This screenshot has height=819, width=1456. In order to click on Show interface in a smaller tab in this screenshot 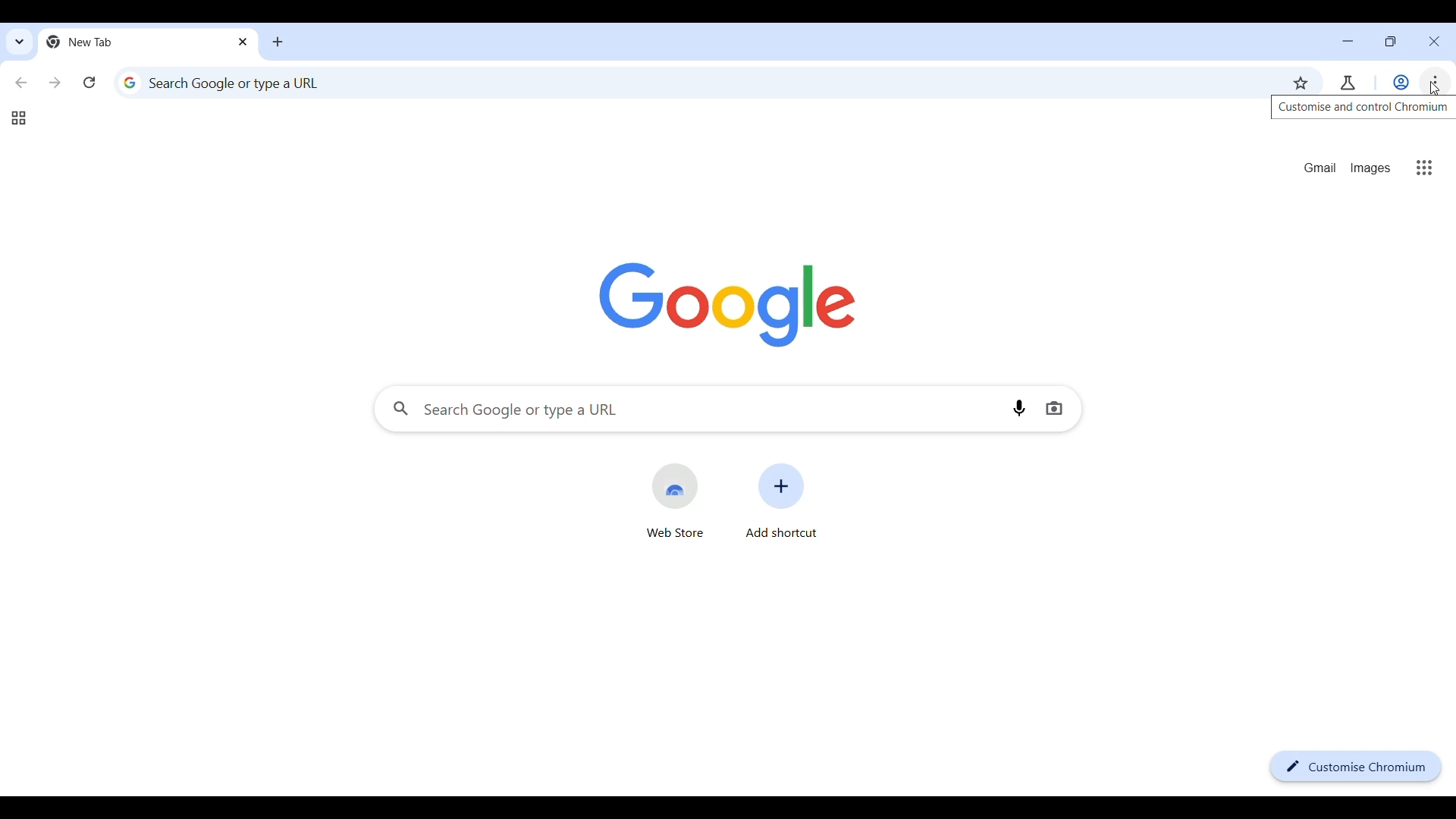, I will do `click(1387, 44)`.